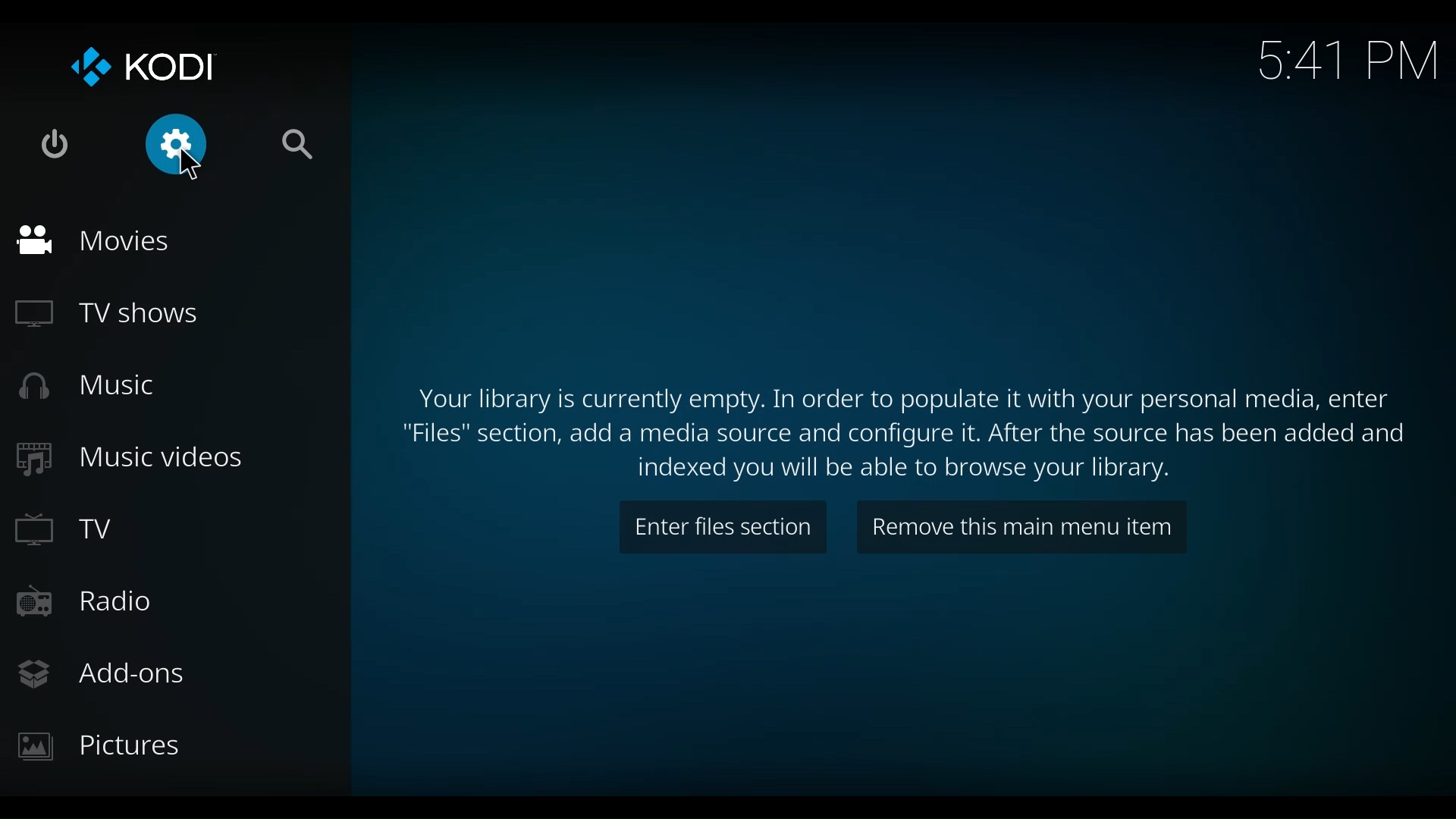  Describe the element at coordinates (107, 746) in the screenshot. I see `Pictures` at that location.